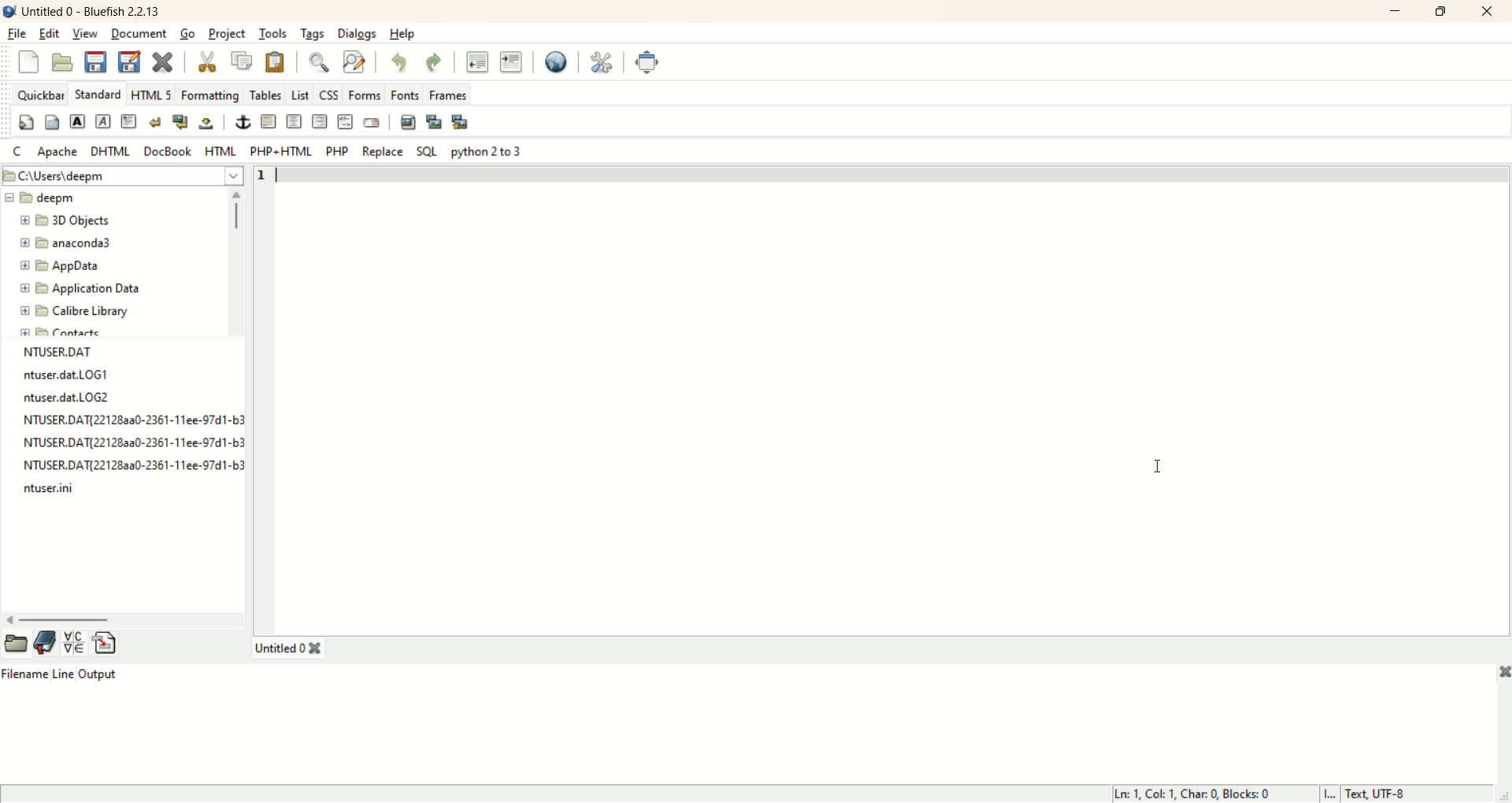 The height and width of the screenshot is (803, 1512). I want to click on copy, so click(241, 61).